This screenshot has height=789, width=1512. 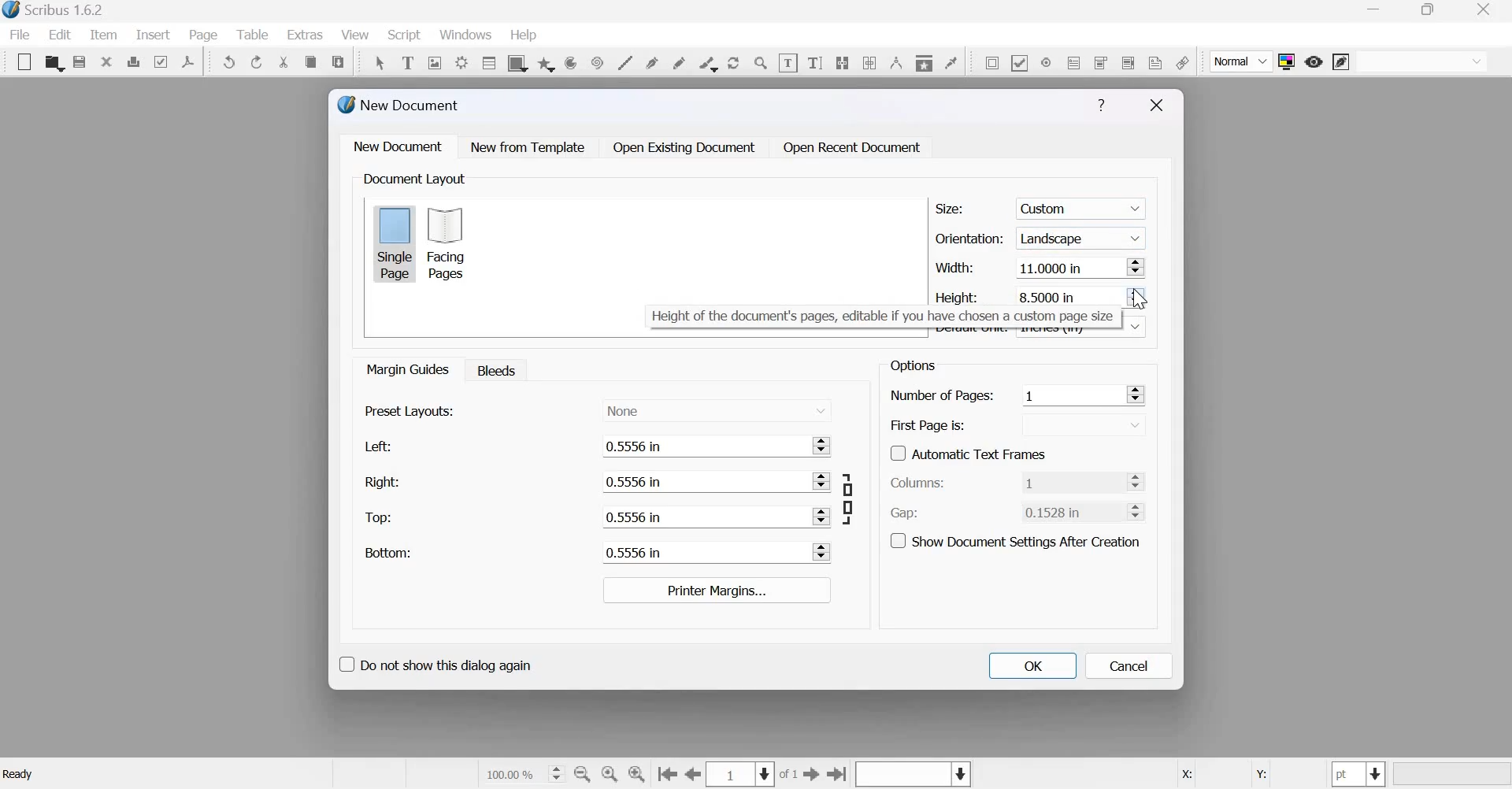 I want to click on Document Layout, so click(x=413, y=179).